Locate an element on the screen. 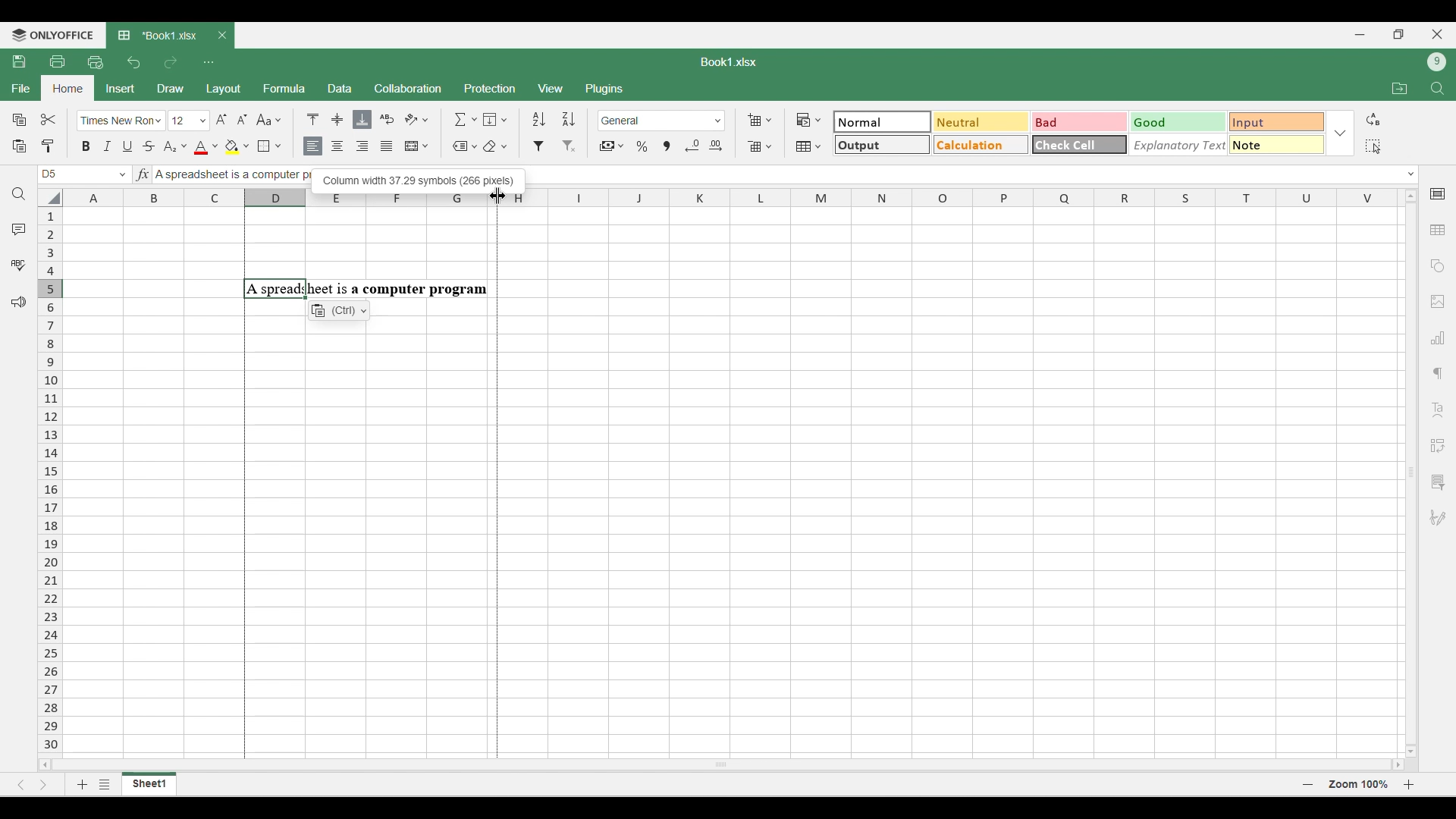 The width and height of the screenshot is (1456, 819). Draw menu is located at coordinates (171, 88).